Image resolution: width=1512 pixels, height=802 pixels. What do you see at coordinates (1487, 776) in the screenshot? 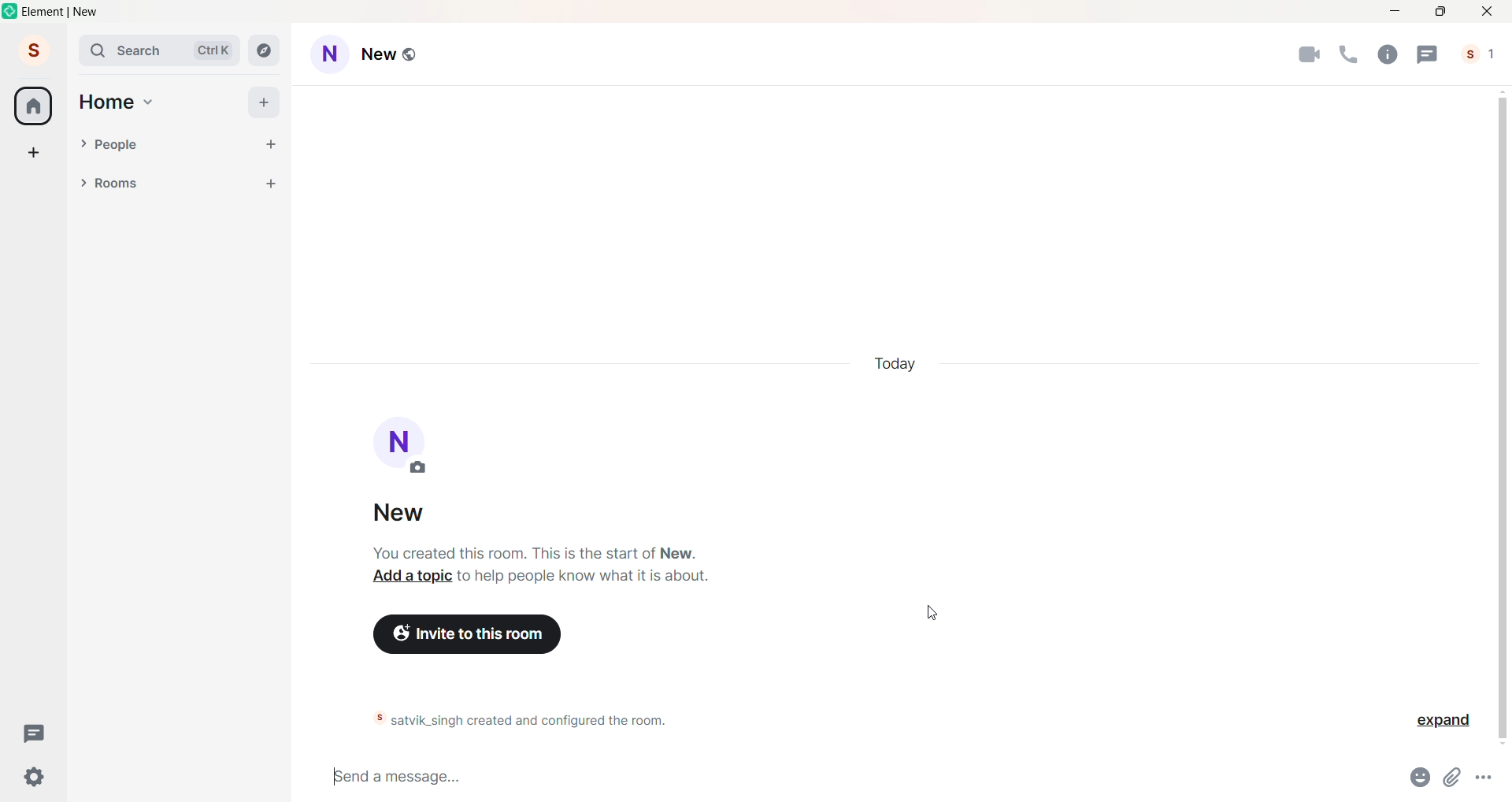
I see `More Options` at bounding box center [1487, 776].